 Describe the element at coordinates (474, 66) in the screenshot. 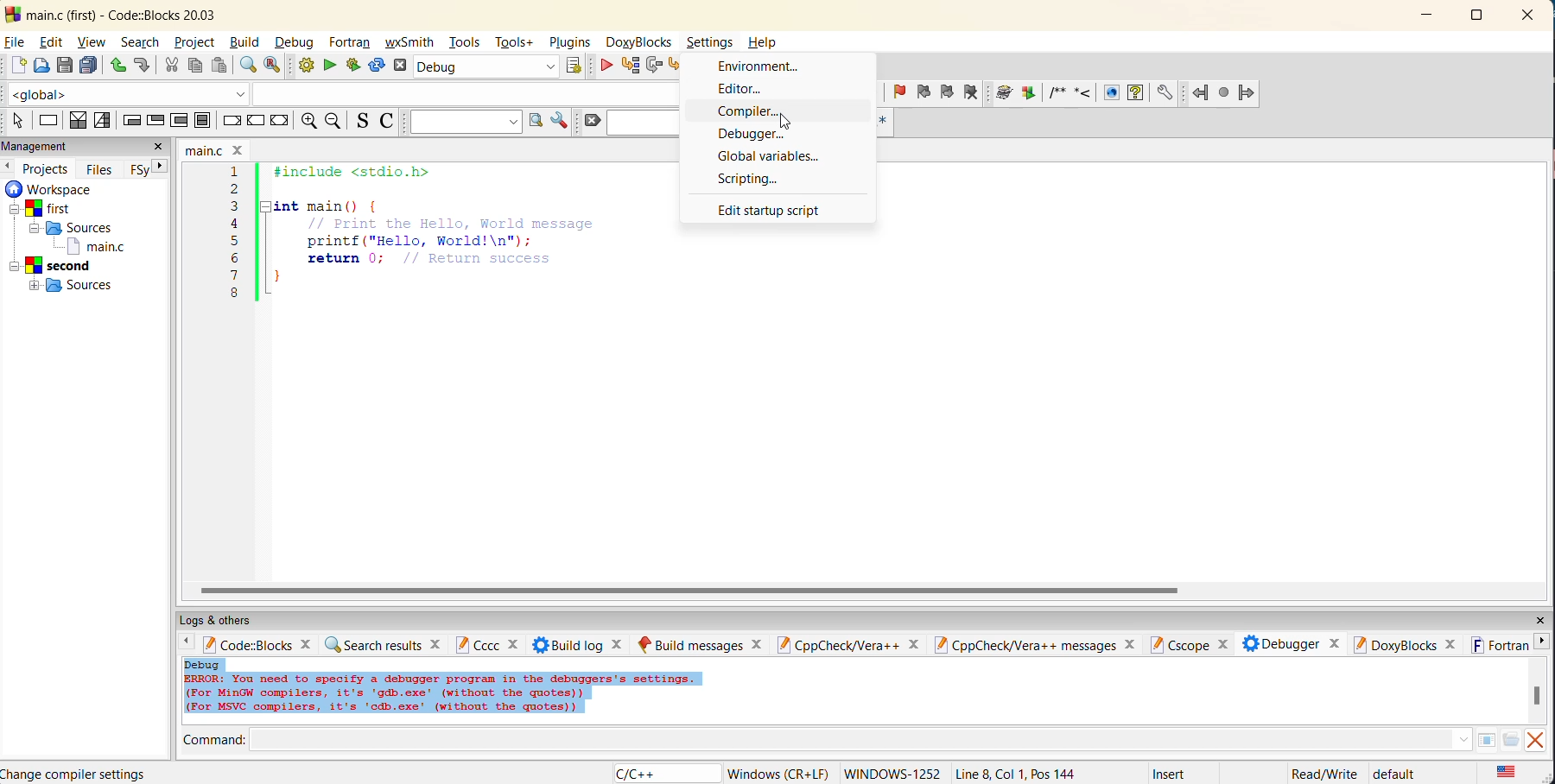

I see `Debug` at that location.